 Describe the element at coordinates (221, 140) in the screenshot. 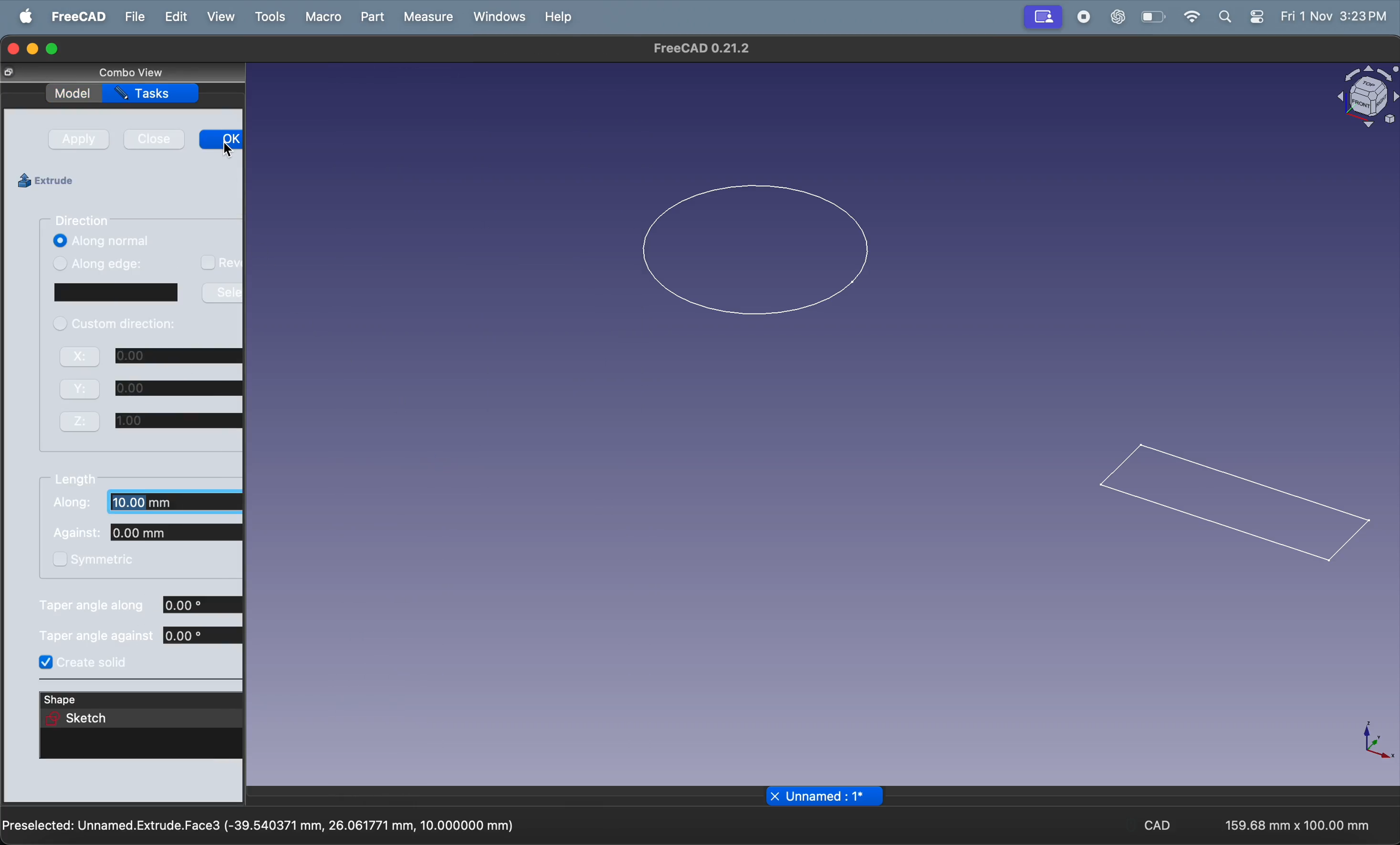

I see `OK` at that location.